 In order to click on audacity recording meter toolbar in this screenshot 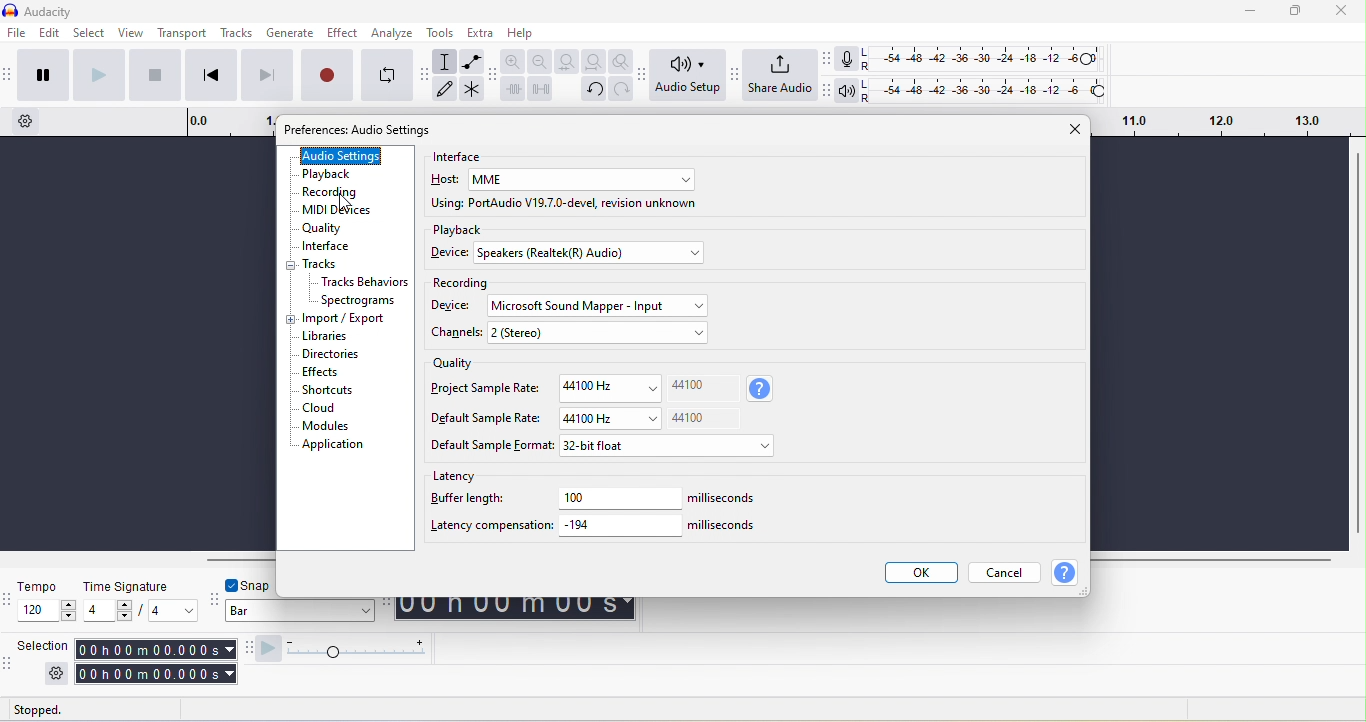, I will do `click(829, 63)`.